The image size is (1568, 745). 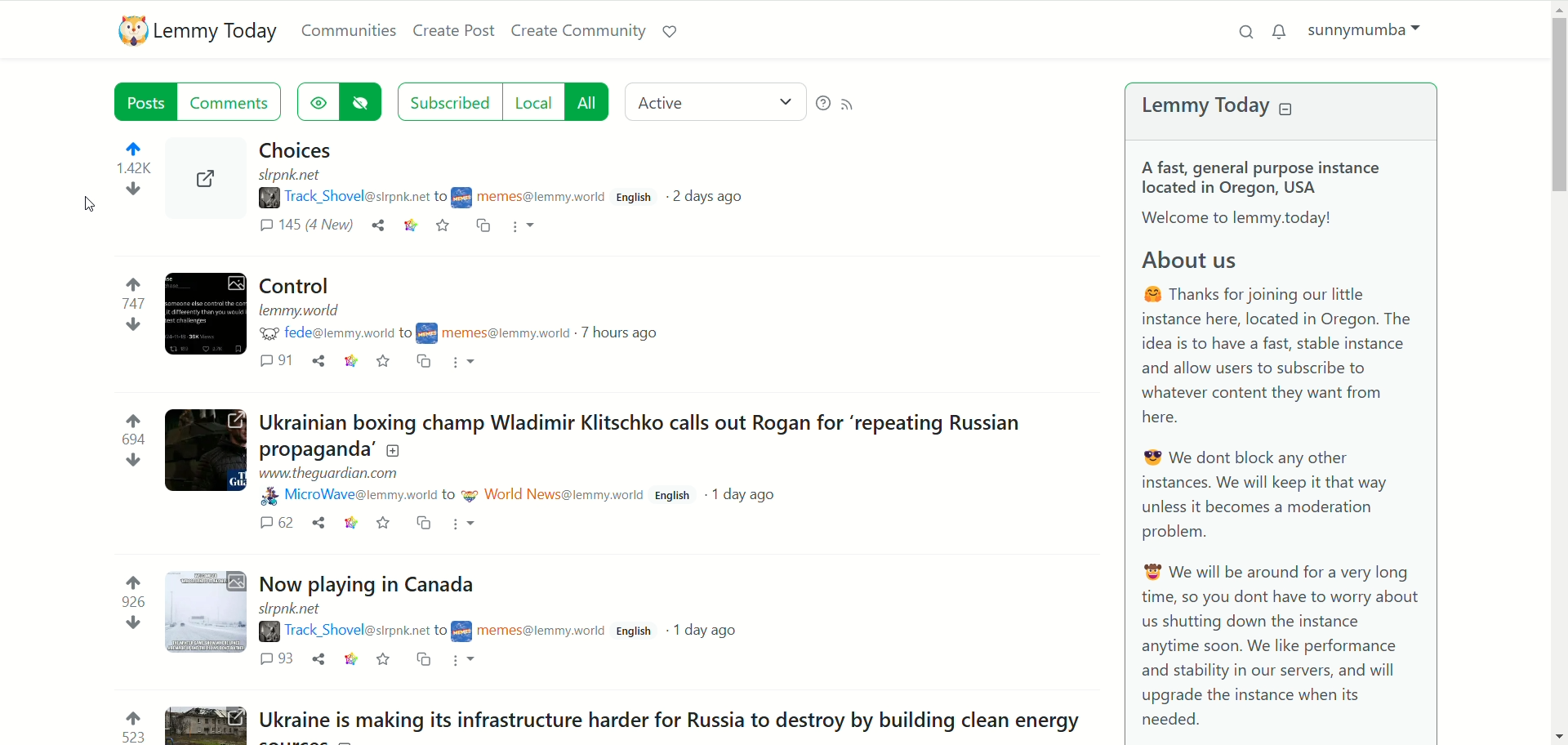 What do you see at coordinates (353, 362) in the screenshot?
I see `link` at bounding box center [353, 362].